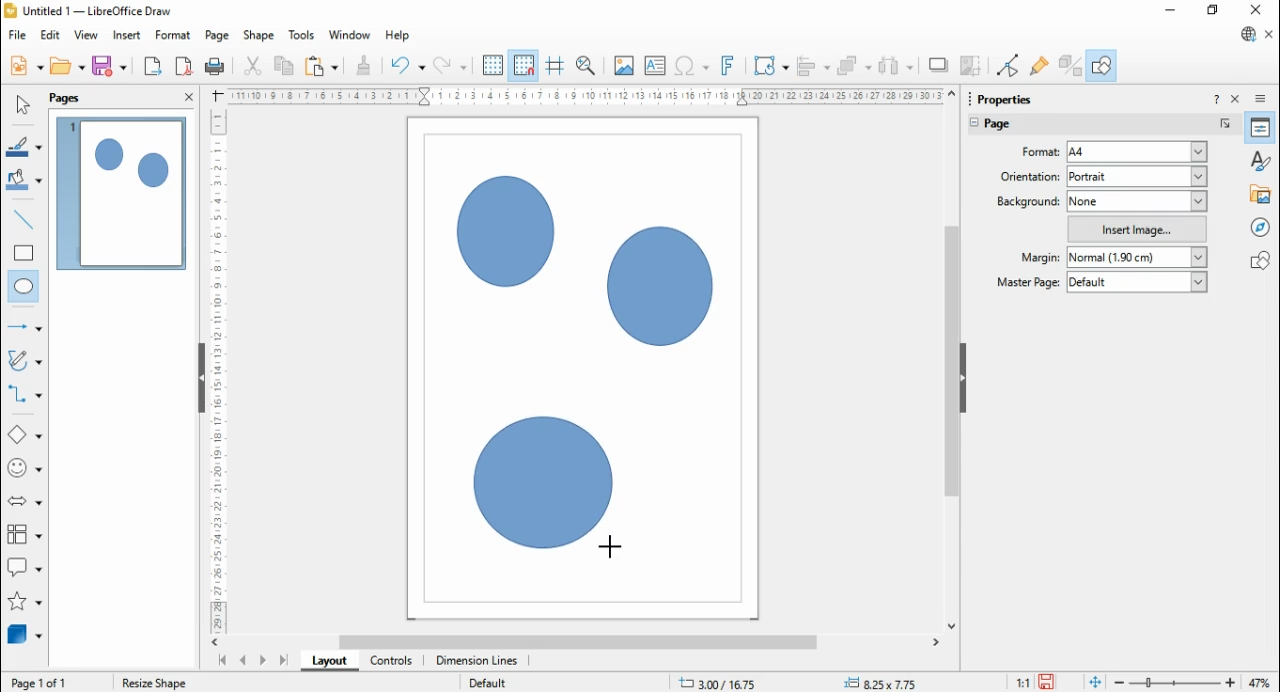  Describe the element at coordinates (217, 367) in the screenshot. I see `Scale` at that location.